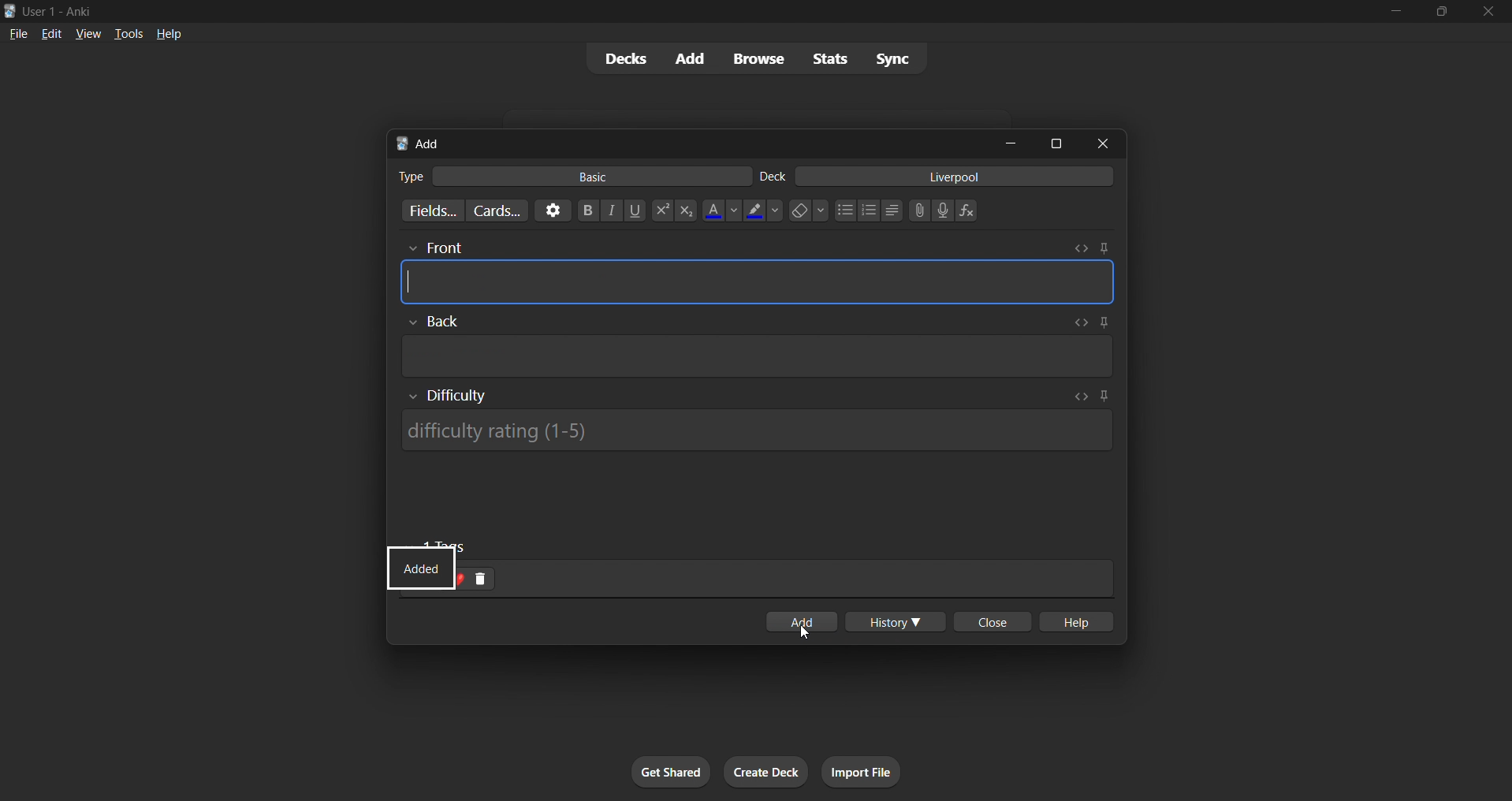 This screenshot has height=801, width=1512. I want to click on underline, so click(637, 210).